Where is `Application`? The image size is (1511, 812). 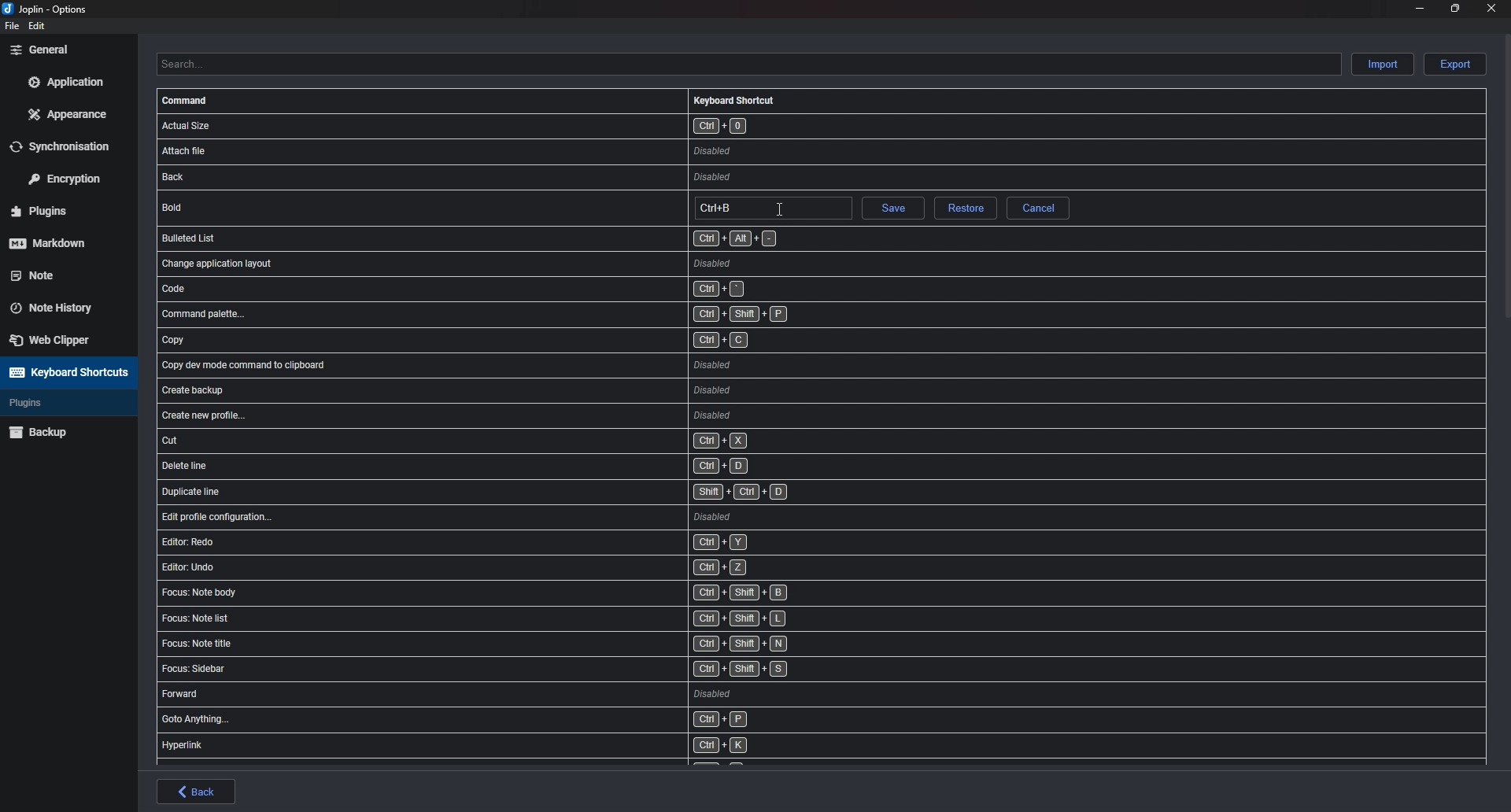 Application is located at coordinates (65, 82).